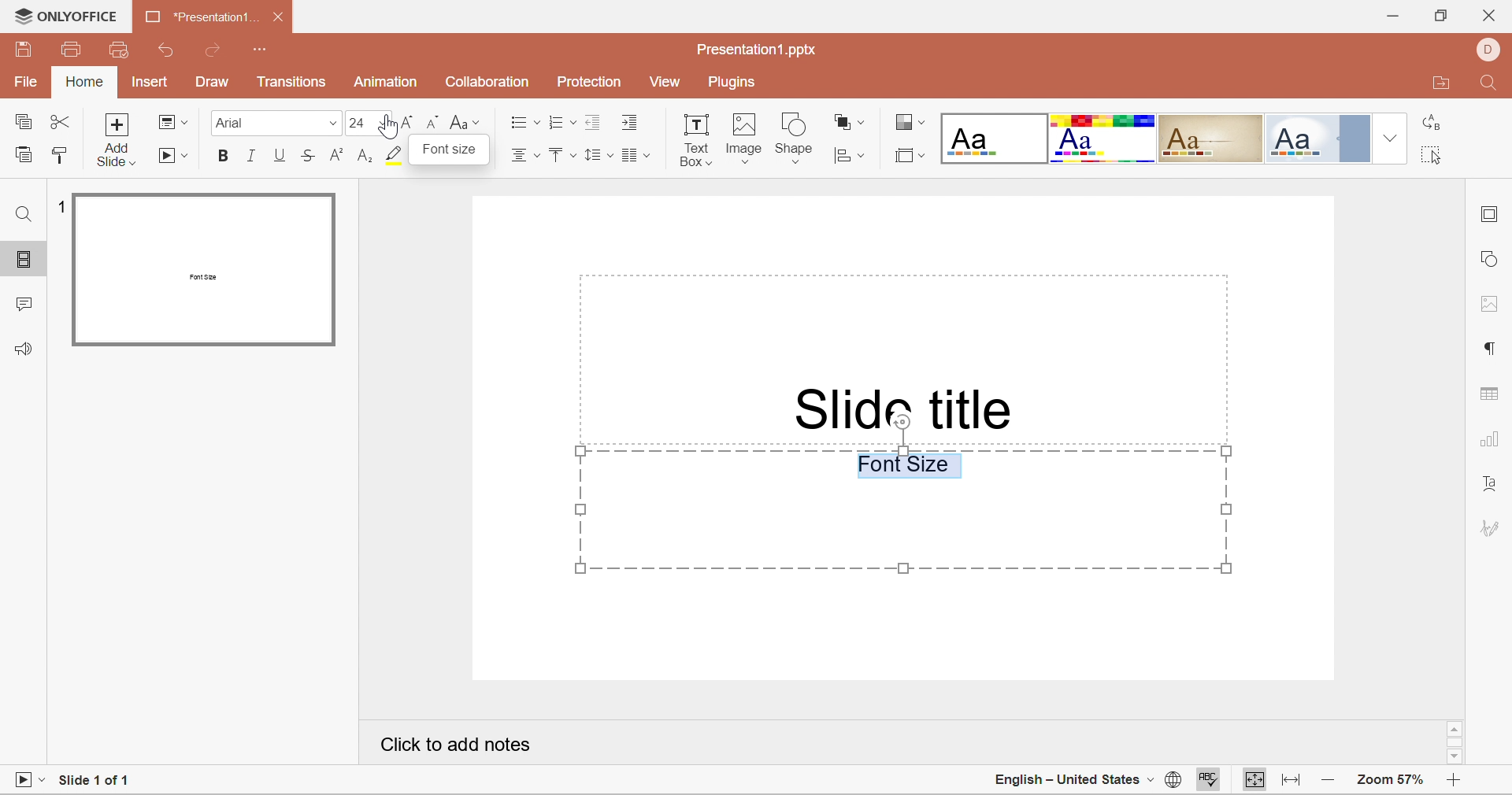 The image size is (1512, 795). What do you see at coordinates (1429, 154) in the screenshot?
I see `Select all` at bounding box center [1429, 154].